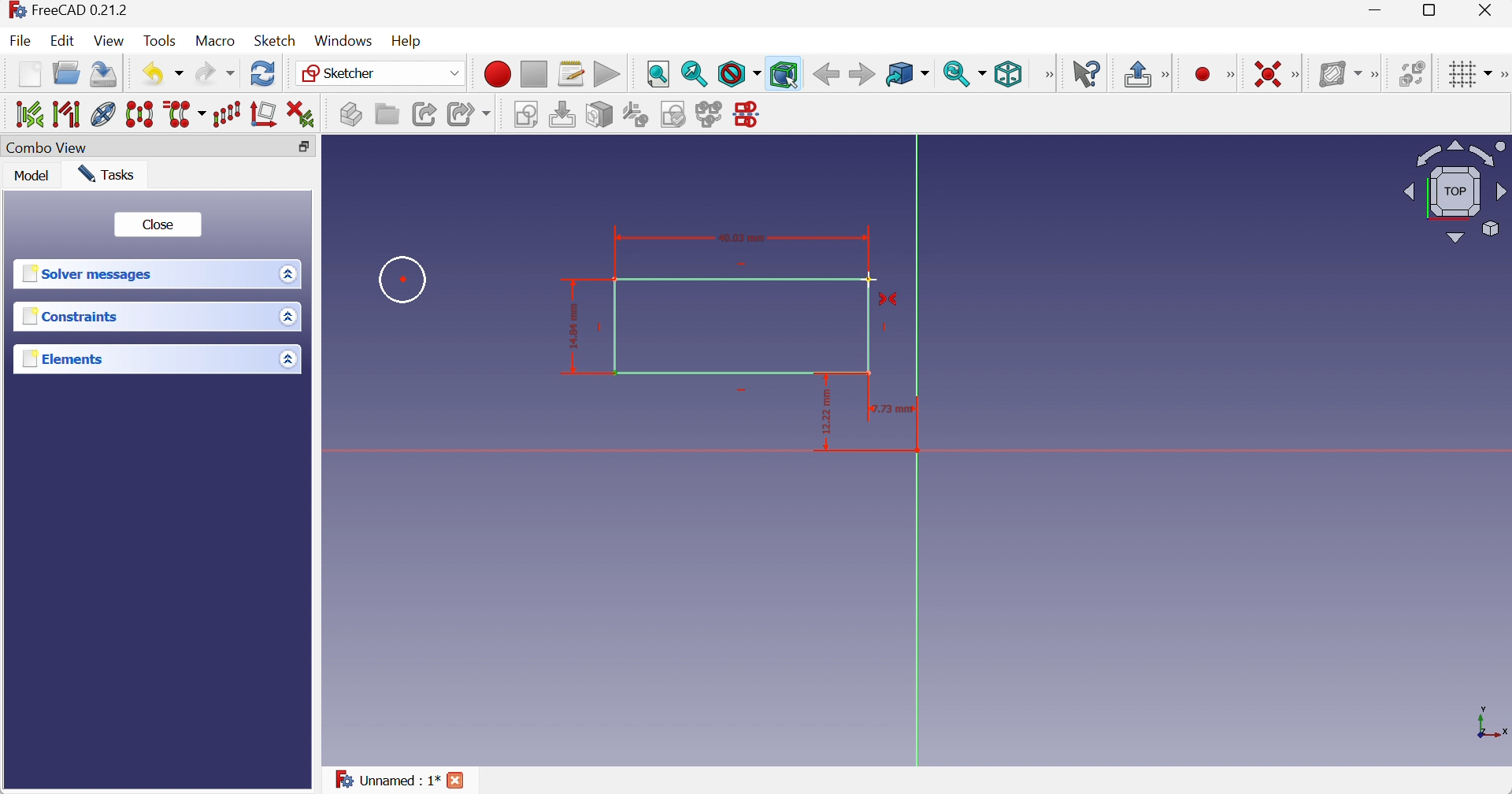  Describe the element at coordinates (825, 75) in the screenshot. I see `Back` at that location.